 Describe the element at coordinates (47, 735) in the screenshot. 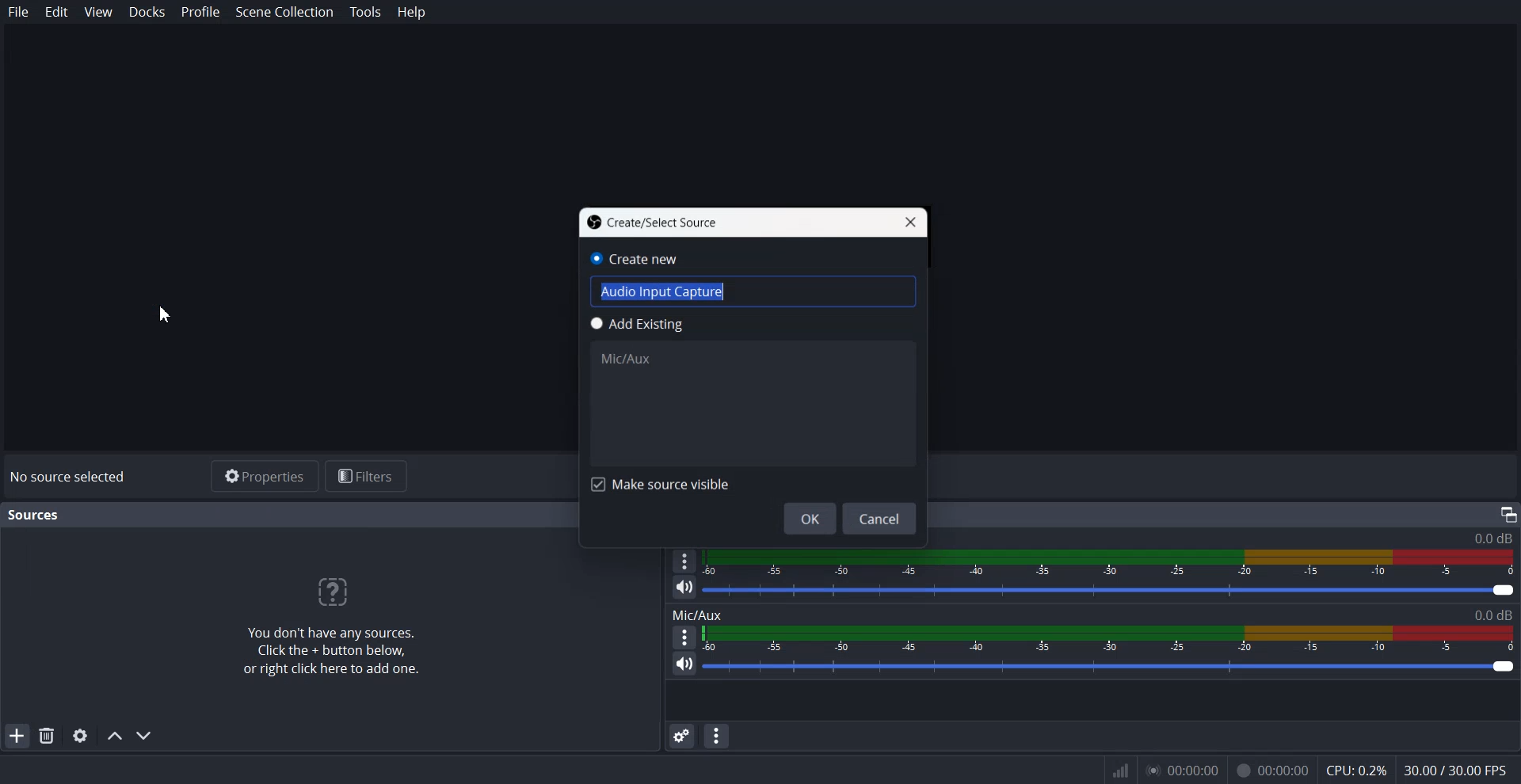

I see `Remove Selected Source` at that location.